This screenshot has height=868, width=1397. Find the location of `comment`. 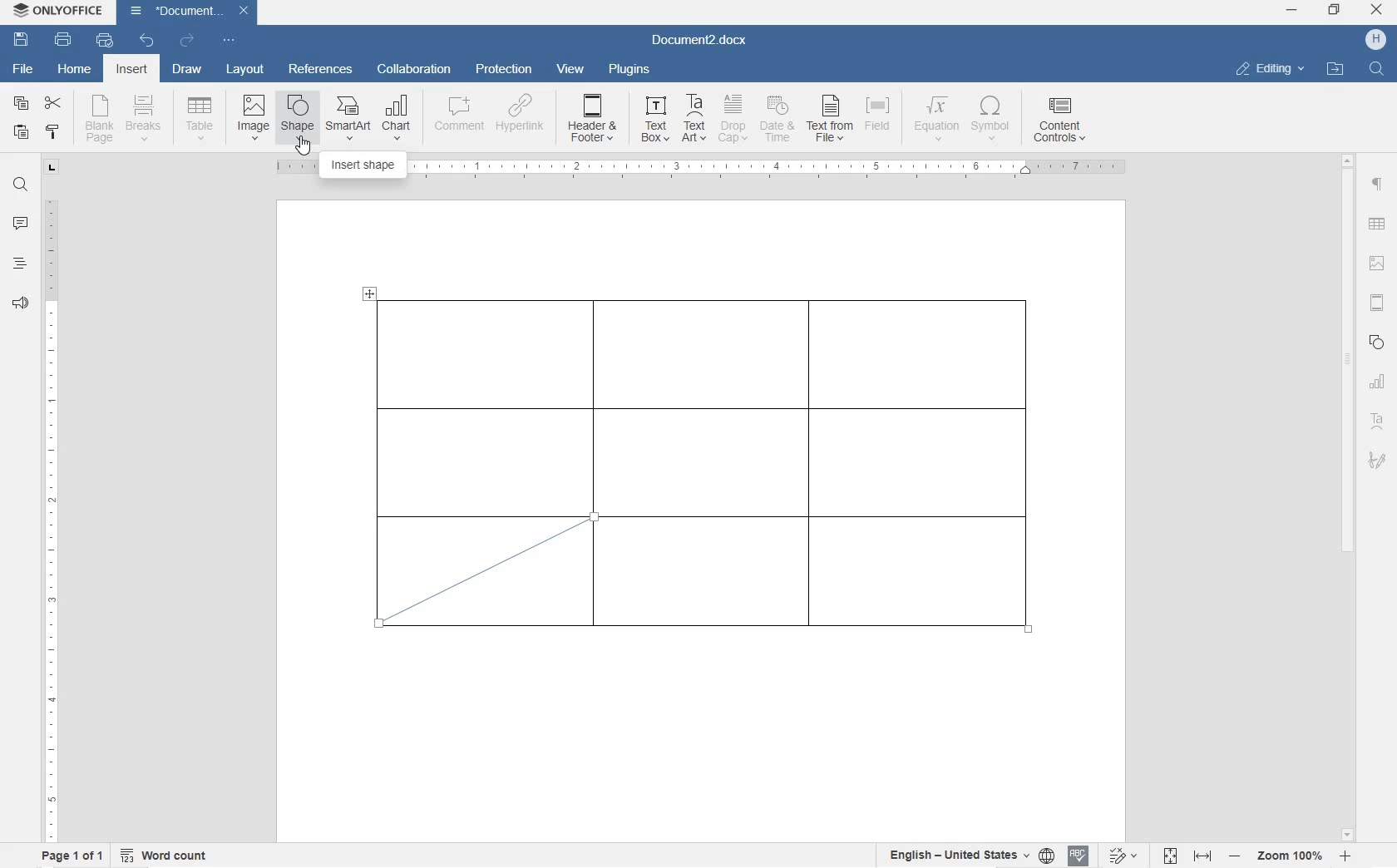

comment is located at coordinates (21, 224).